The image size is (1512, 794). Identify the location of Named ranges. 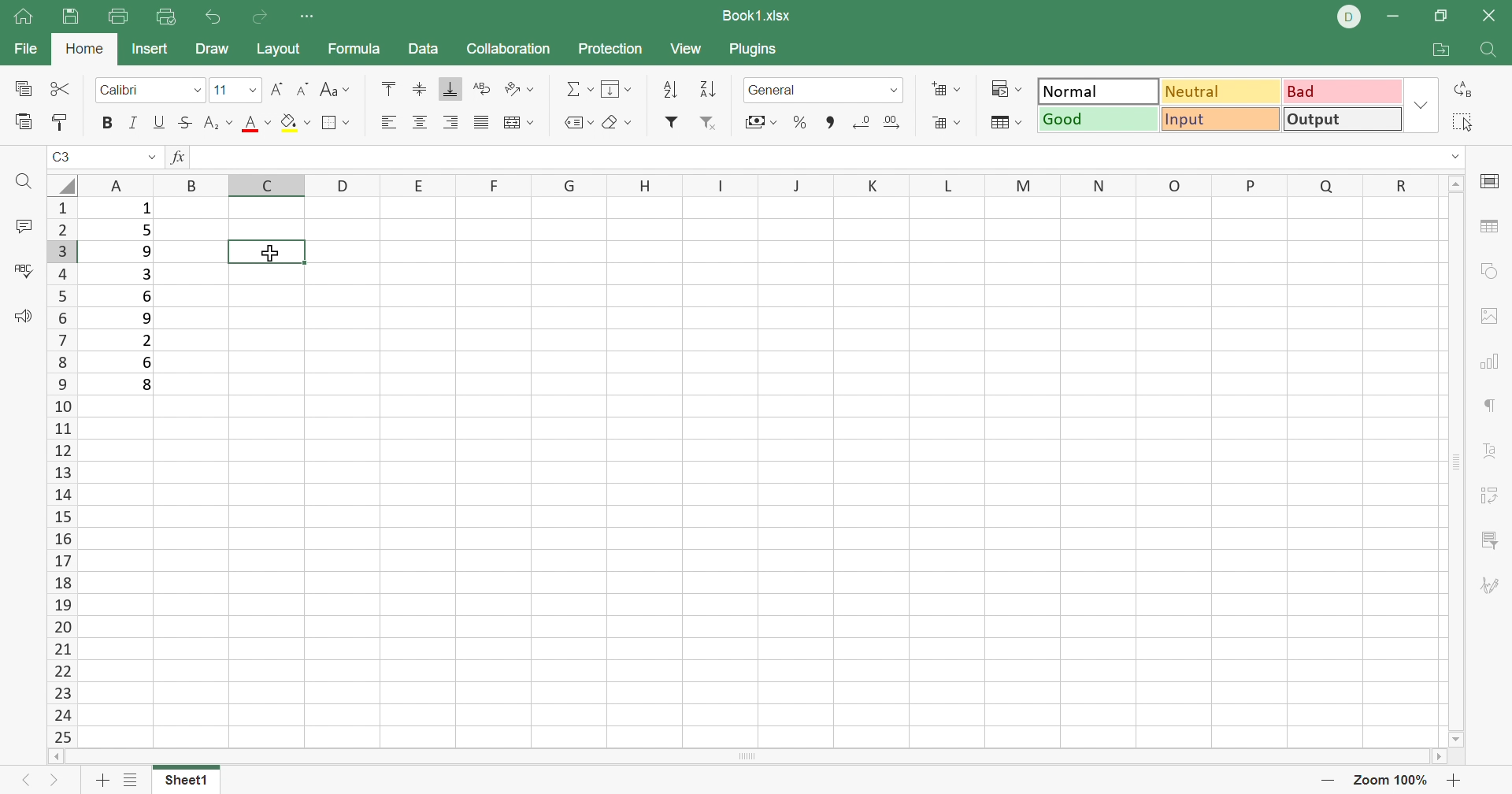
(577, 121).